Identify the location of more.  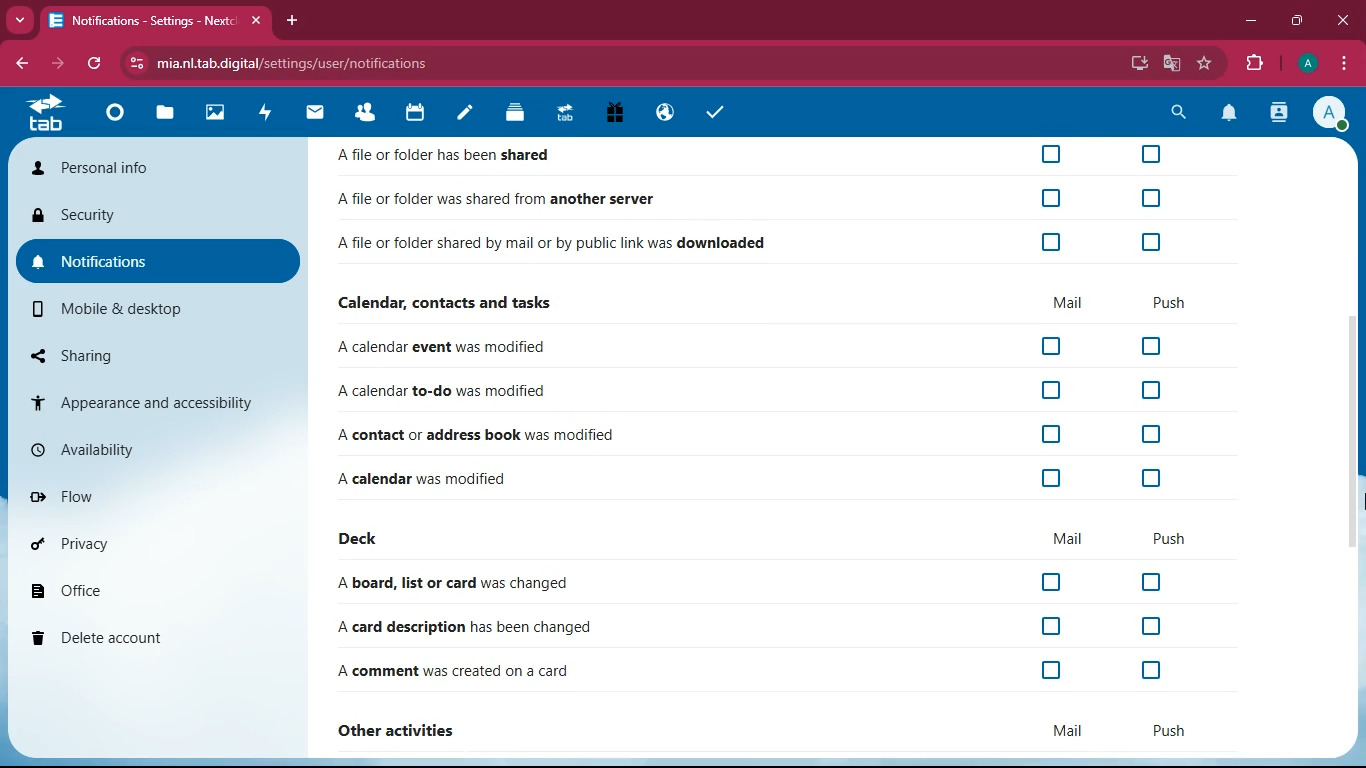
(20, 20).